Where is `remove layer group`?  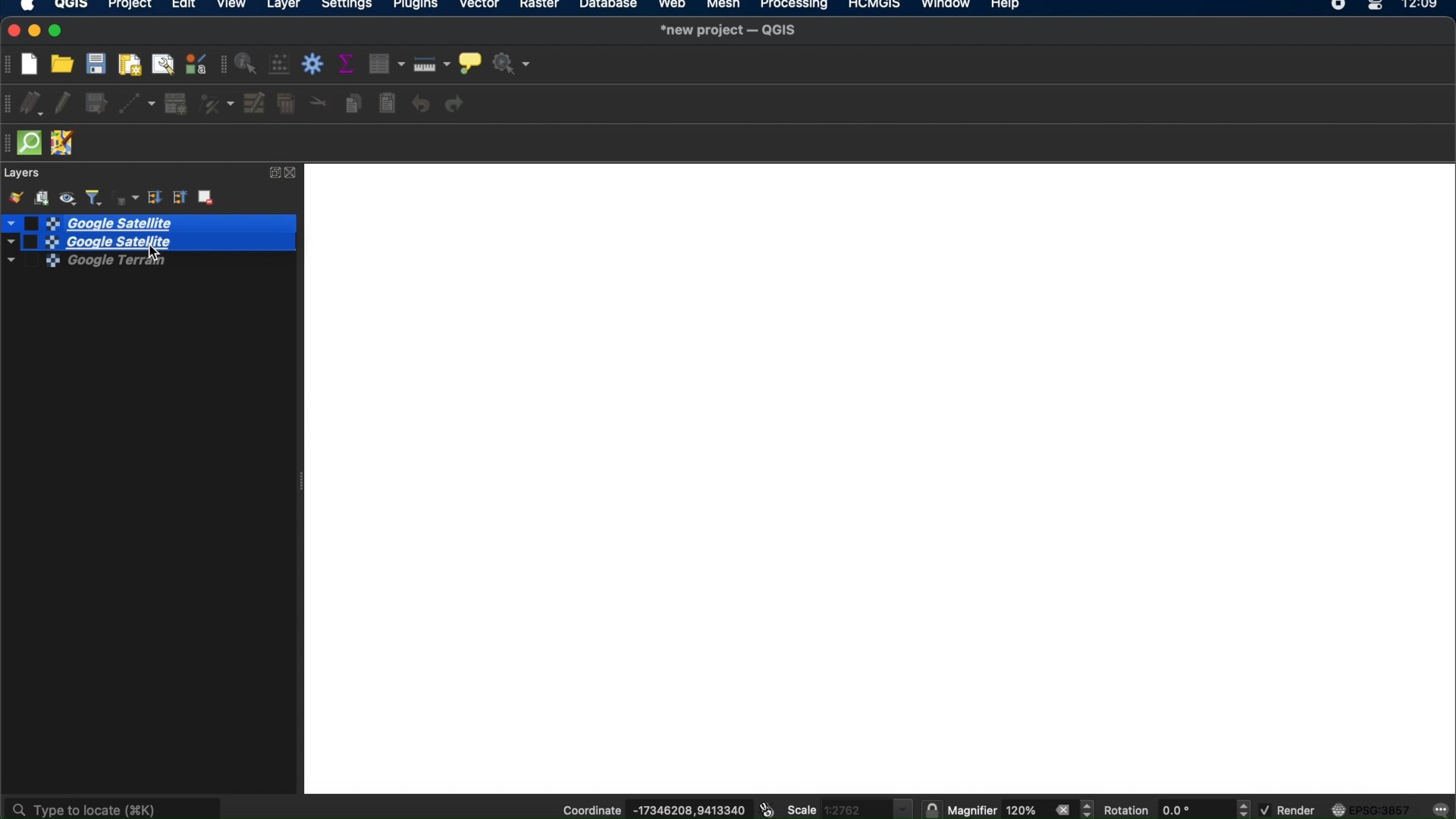
remove layer group is located at coordinates (208, 199).